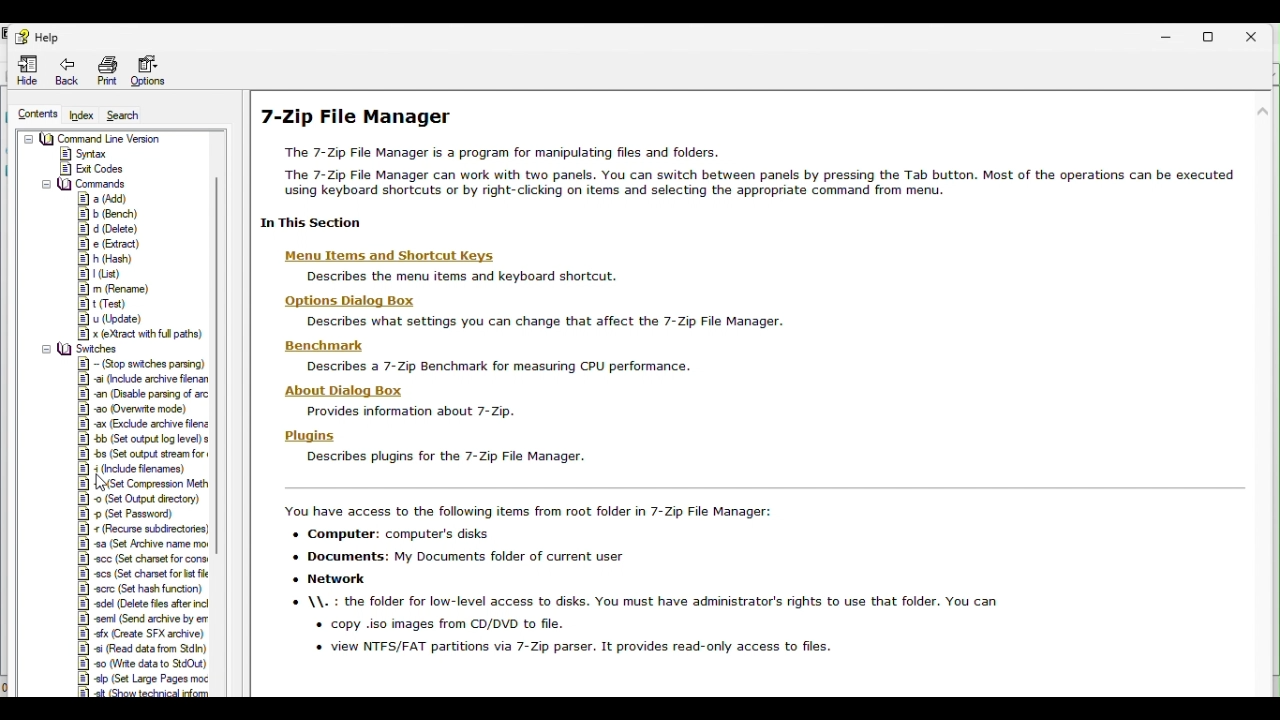  I want to click on delete files, so click(143, 607).